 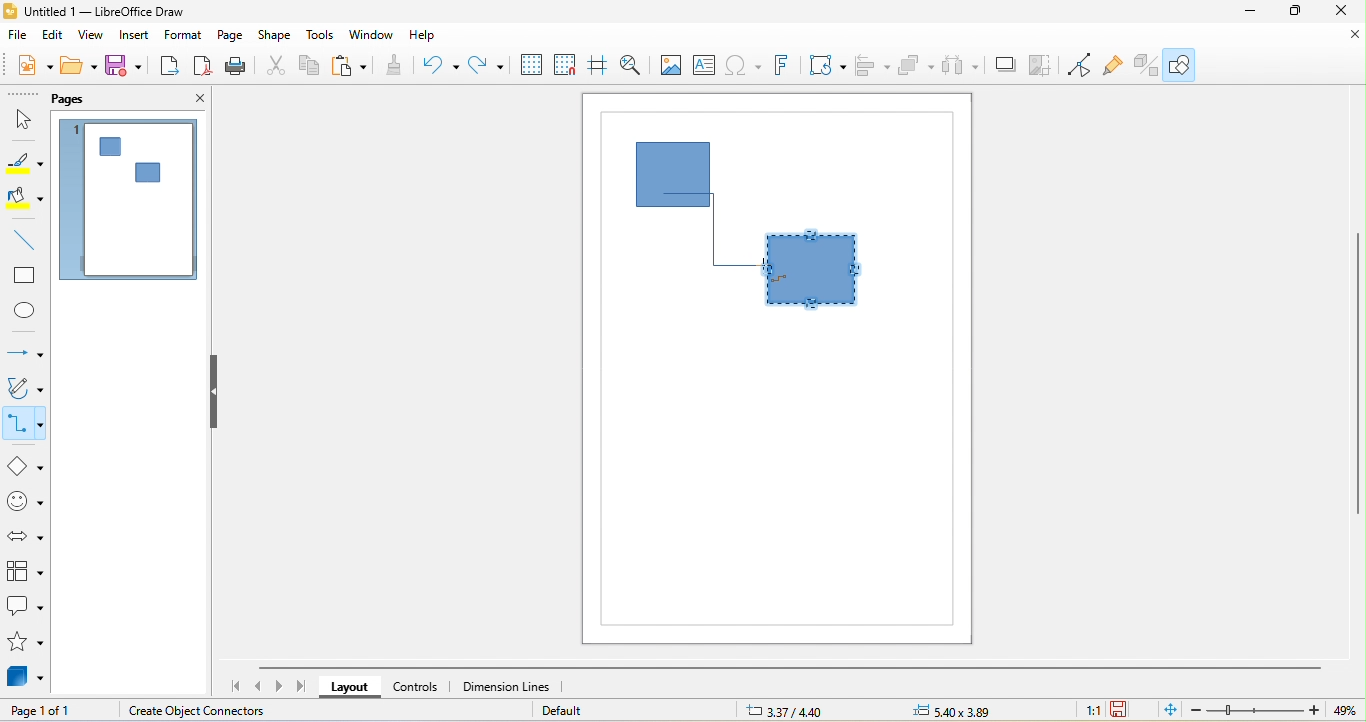 What do you see at coordinates (80, 101) in the screenshot?
I see `pags` at bounding box center [80, 101].